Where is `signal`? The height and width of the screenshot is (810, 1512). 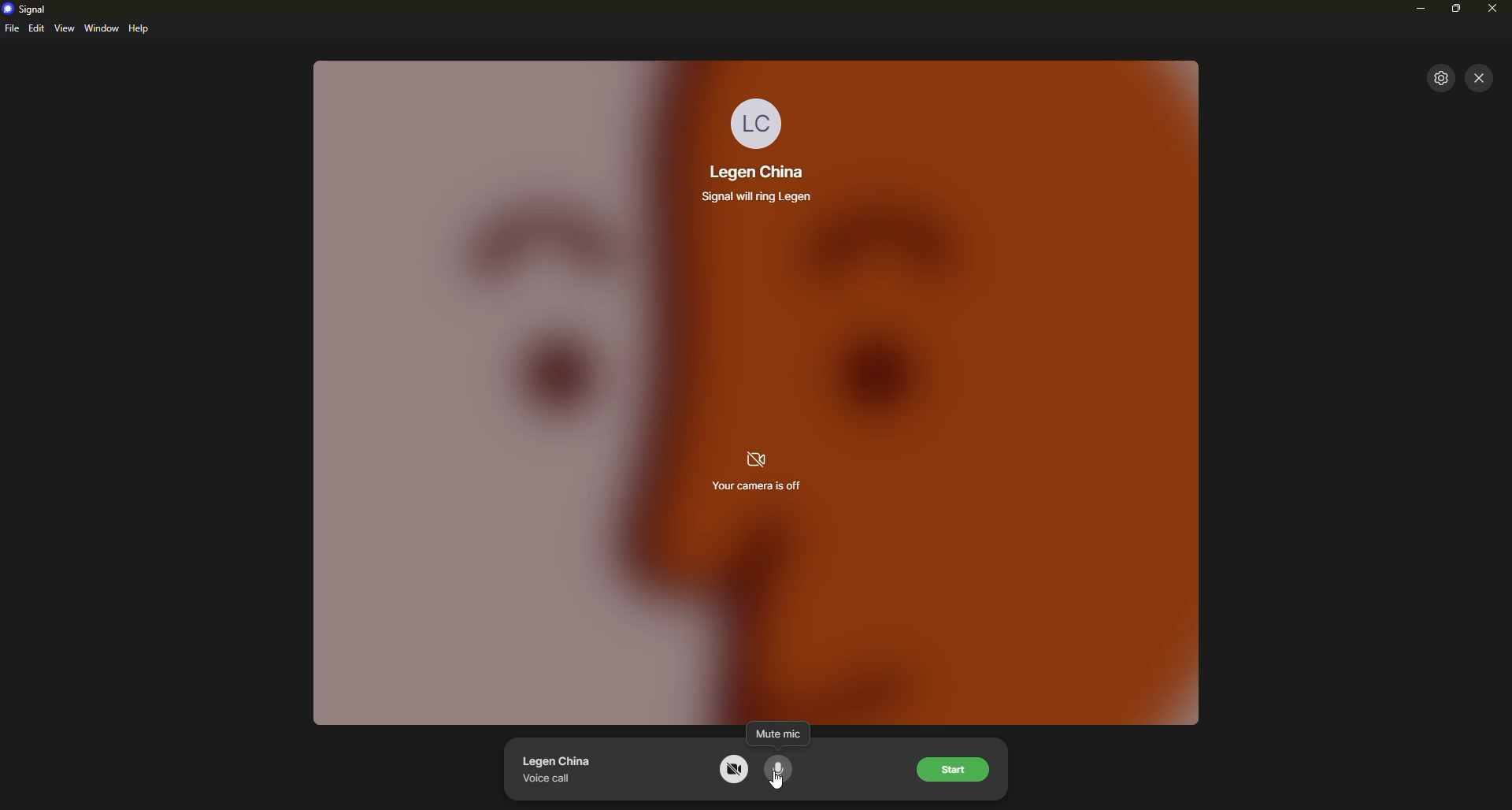 signal is located at coordinates (31, 9).